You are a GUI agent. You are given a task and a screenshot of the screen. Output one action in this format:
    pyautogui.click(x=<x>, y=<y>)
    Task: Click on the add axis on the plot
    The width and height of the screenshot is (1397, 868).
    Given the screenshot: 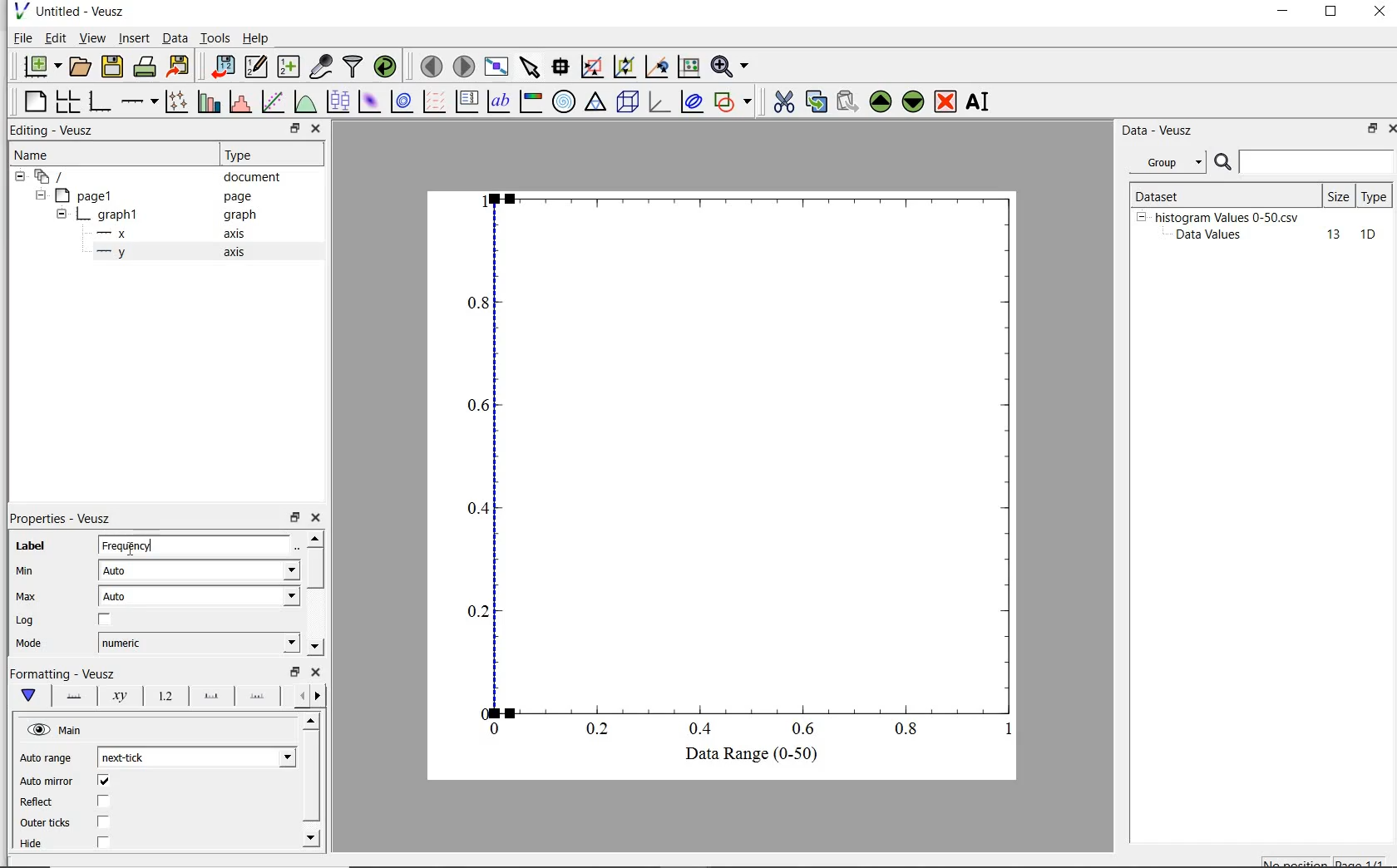 What is the action you would take?
    pyautogui.click(x=139, y=100)
    